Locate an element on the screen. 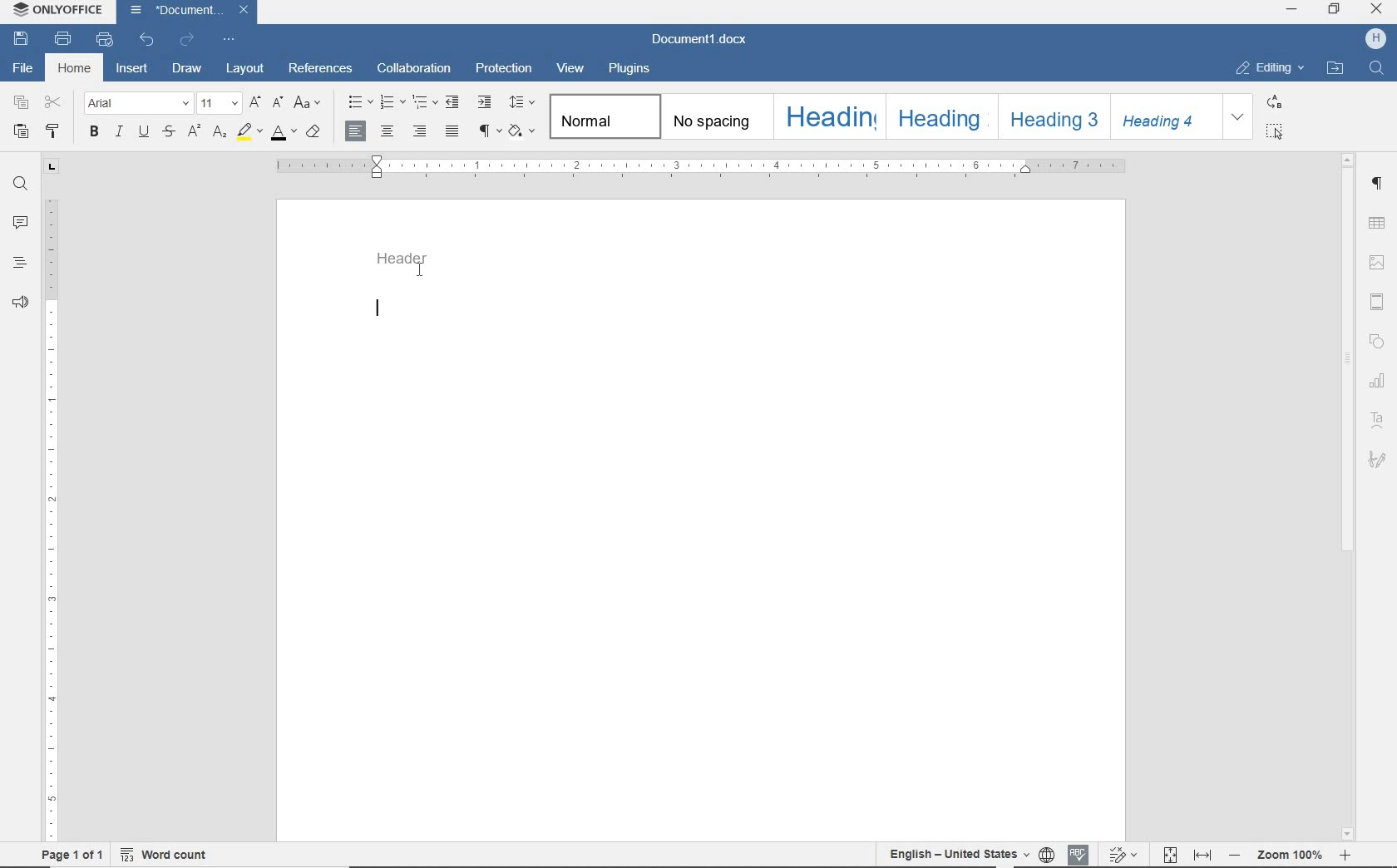  close is located at coordinates (244, 9).